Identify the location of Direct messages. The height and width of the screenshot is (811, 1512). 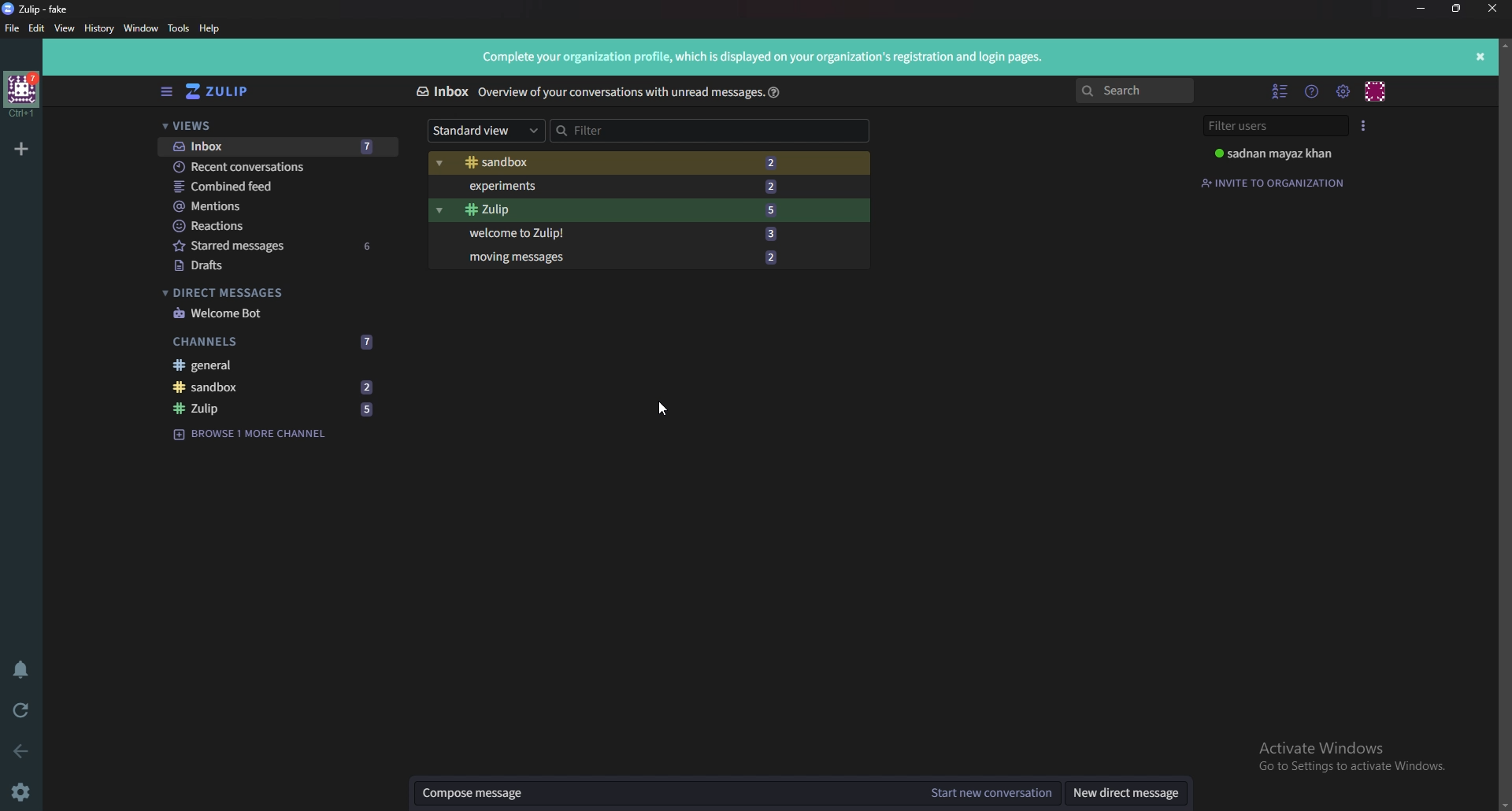
(272, 294).